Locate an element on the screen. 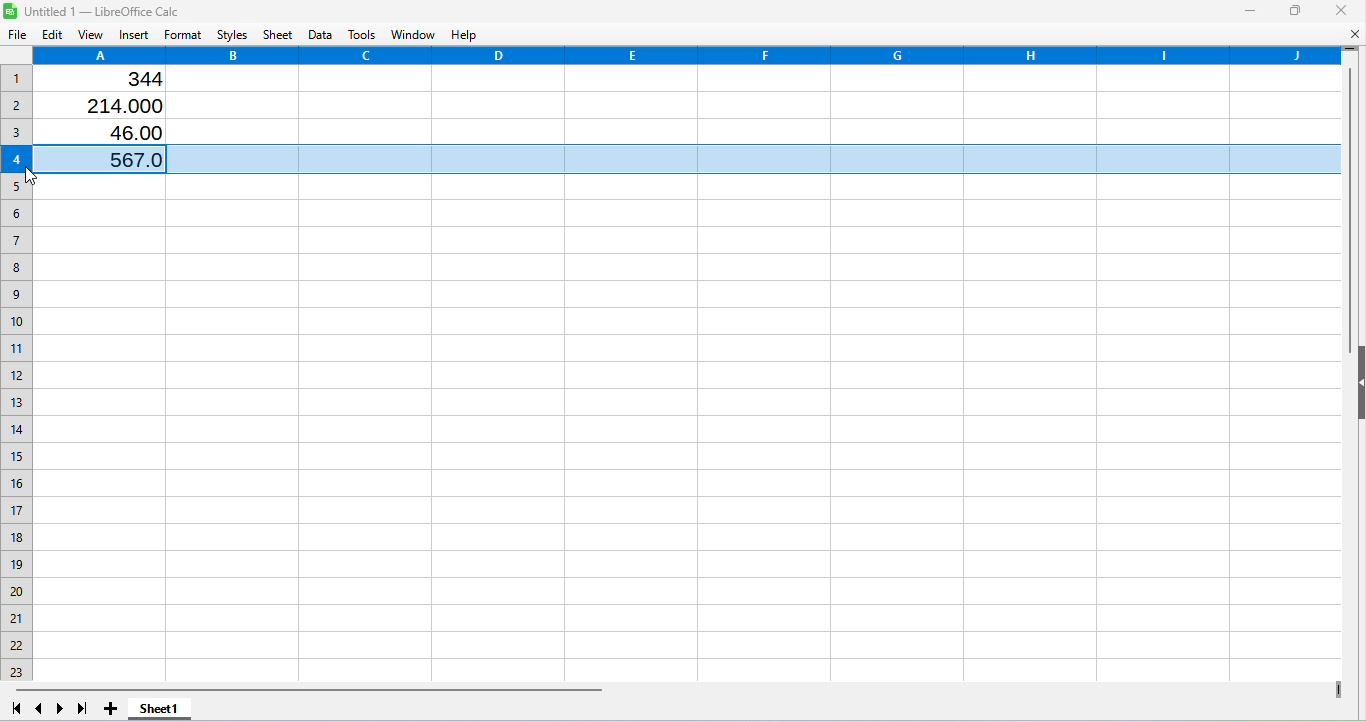  Show is located at coordinates (1358, 388).